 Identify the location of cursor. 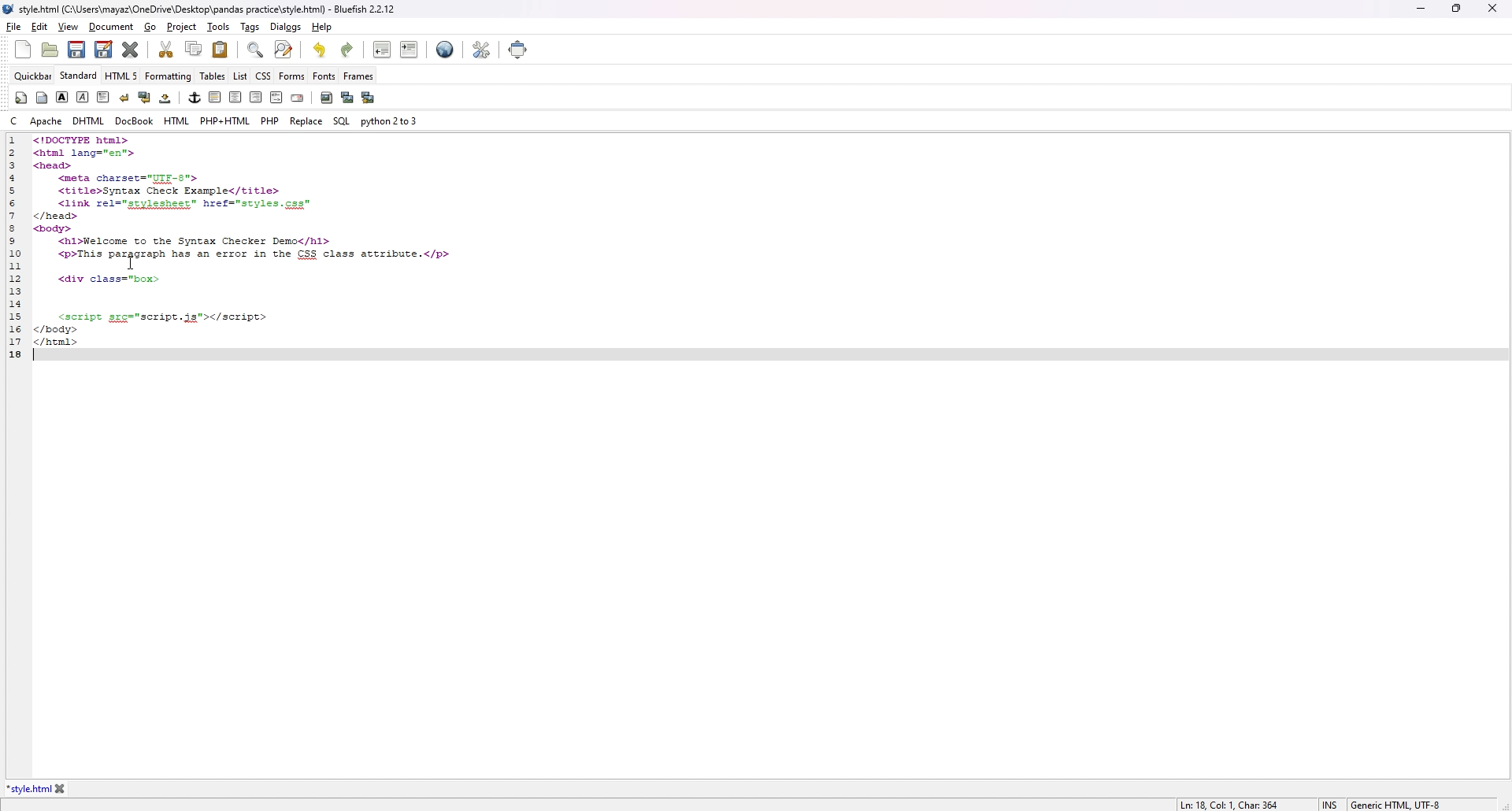
(130, 262).